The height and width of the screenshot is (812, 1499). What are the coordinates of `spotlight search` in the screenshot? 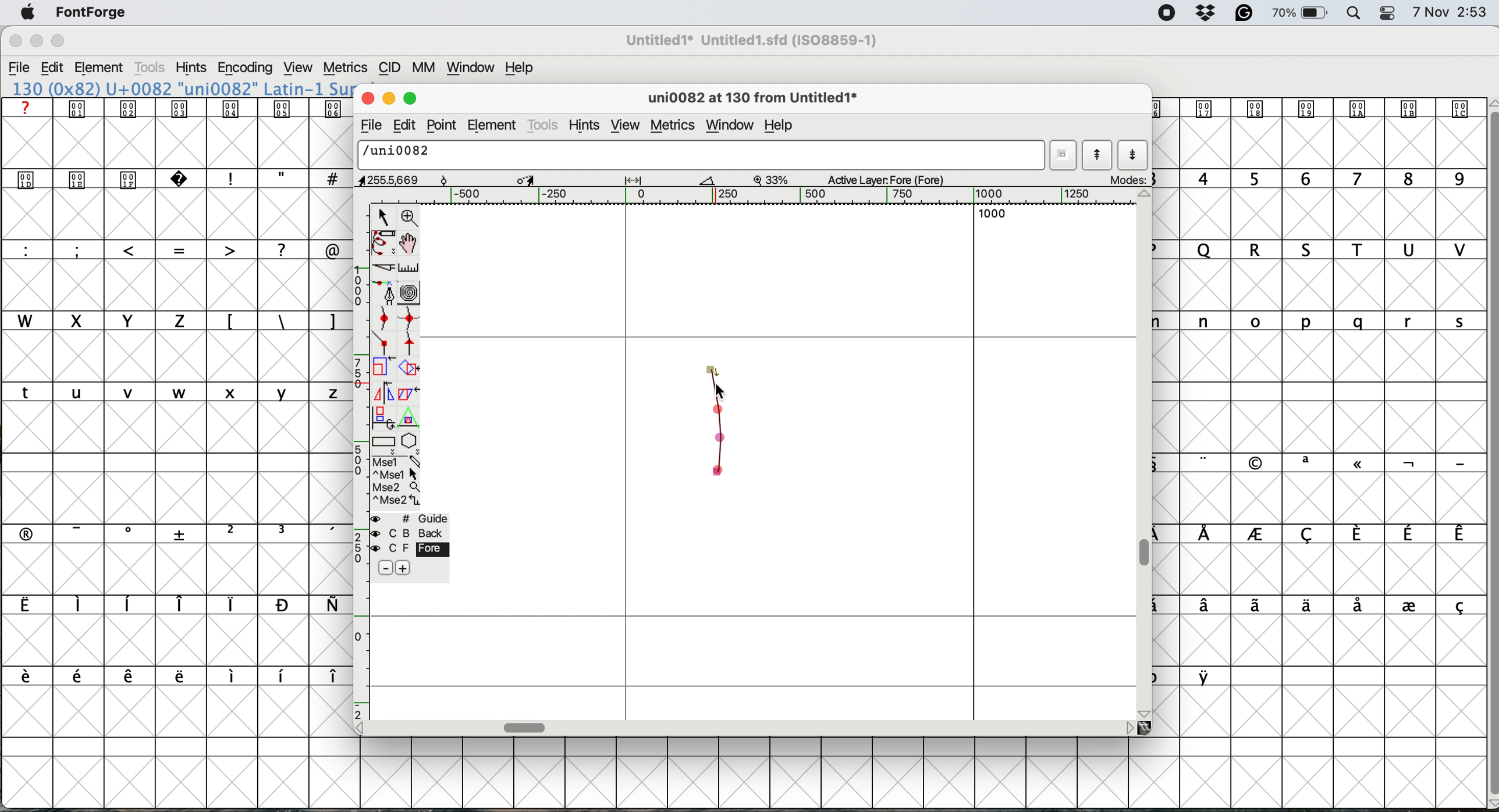 It's located at (1355, 13).